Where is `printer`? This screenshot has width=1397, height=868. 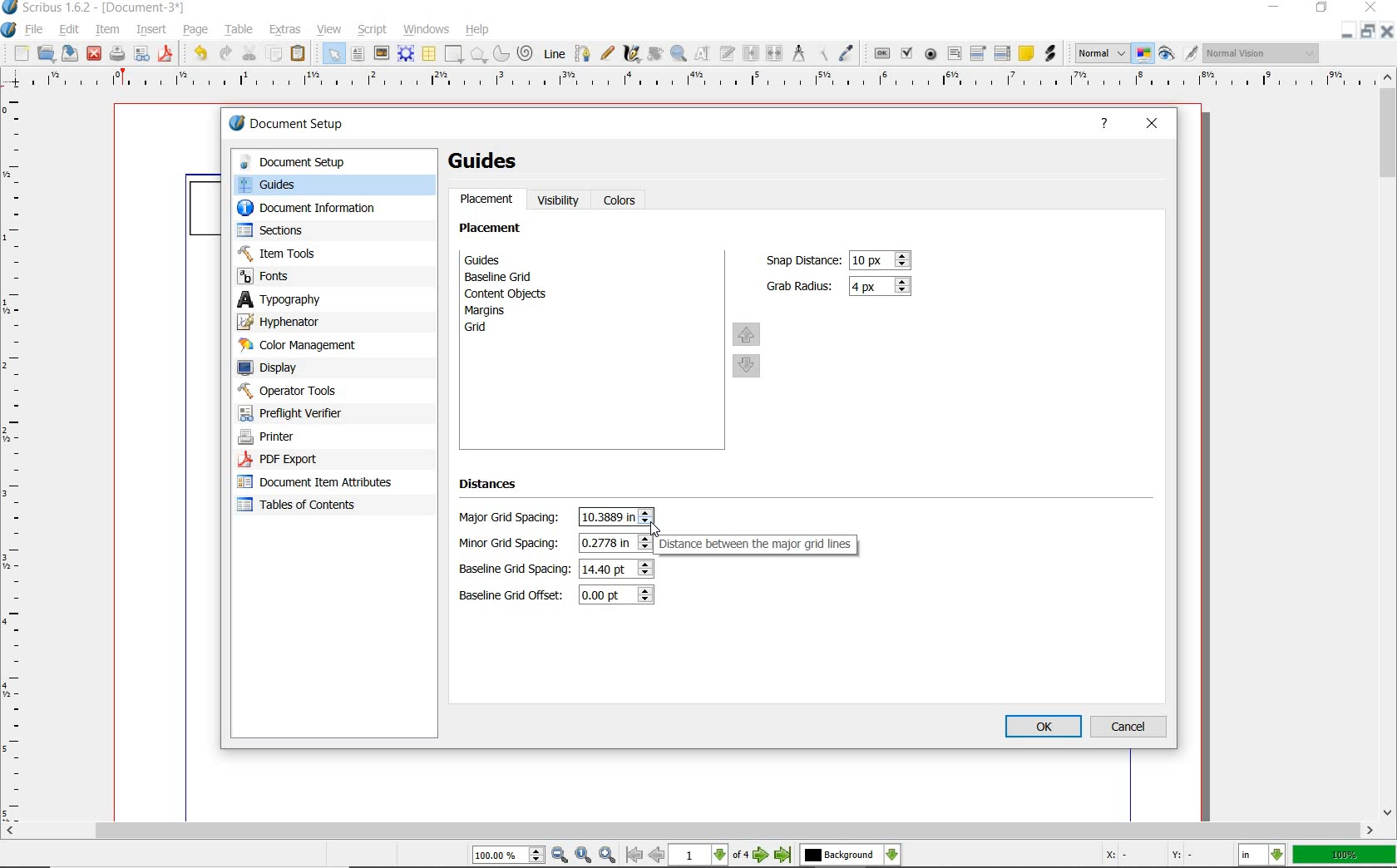 printer is located at coordinates (318, 437).